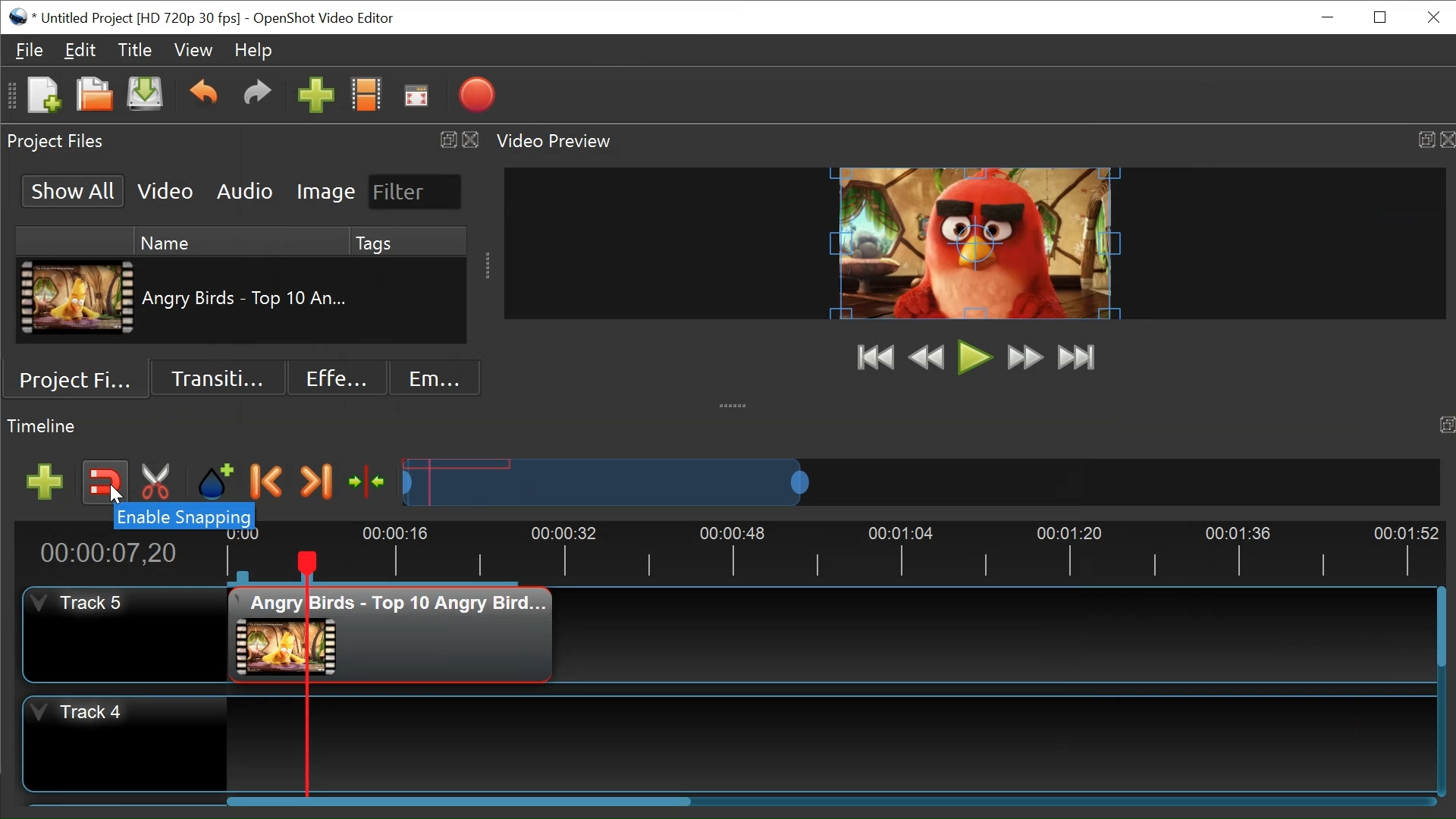 Image resolution: width=1456 pixels, height=819 pixels. Describe the element at coordinates (830, 552) in the screenshot. I see `Timeline` at that location.